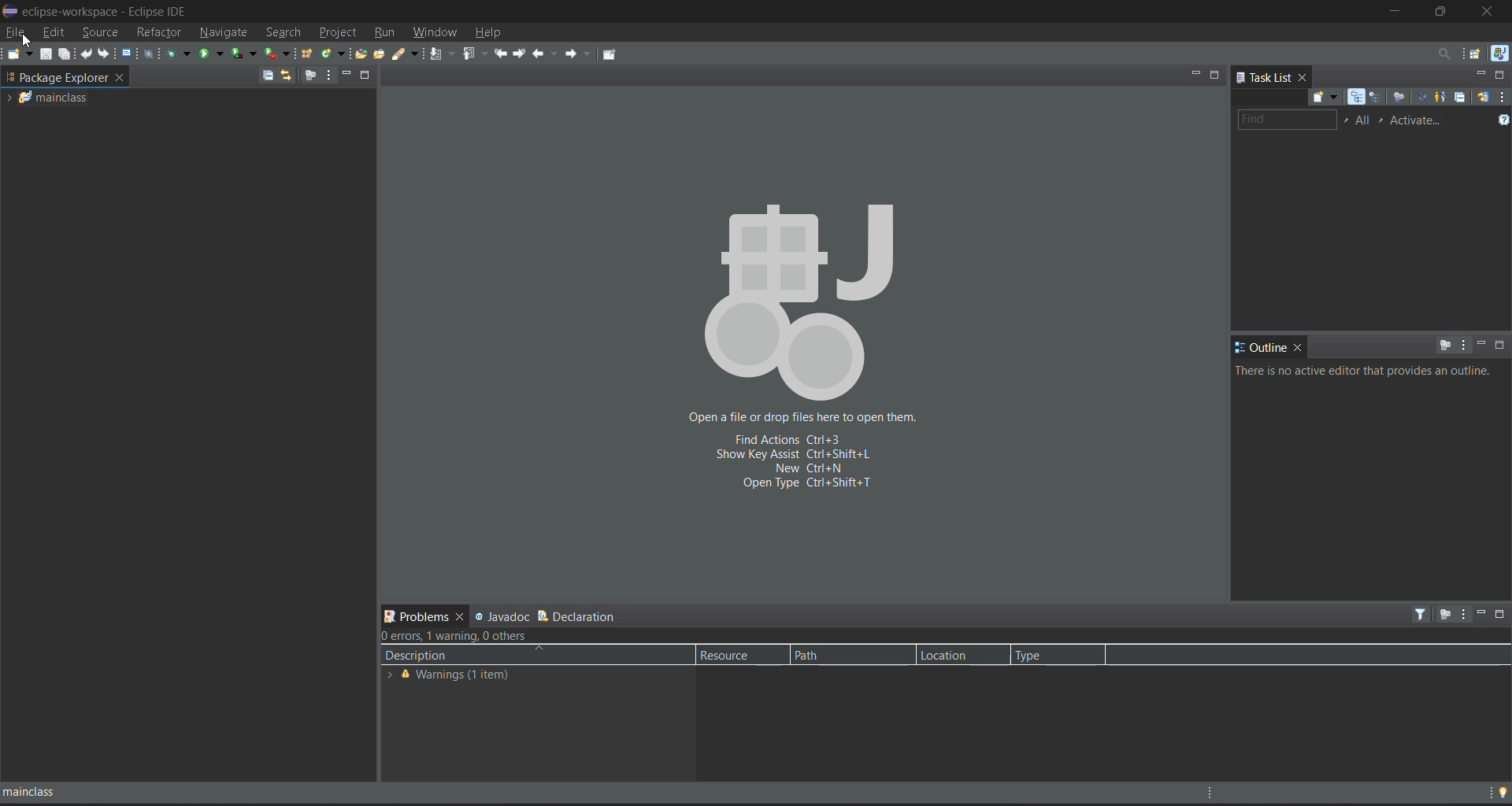  What do you see at coordinates (803, 346) in the screenshot?
I see `Open a file or drop files here to open them. Fixed actions Ctrl+3 Show key assist Ctrl+shift+l New Ctrl+N Open type ctrl+shift+T` at bounding box center [803, 346].